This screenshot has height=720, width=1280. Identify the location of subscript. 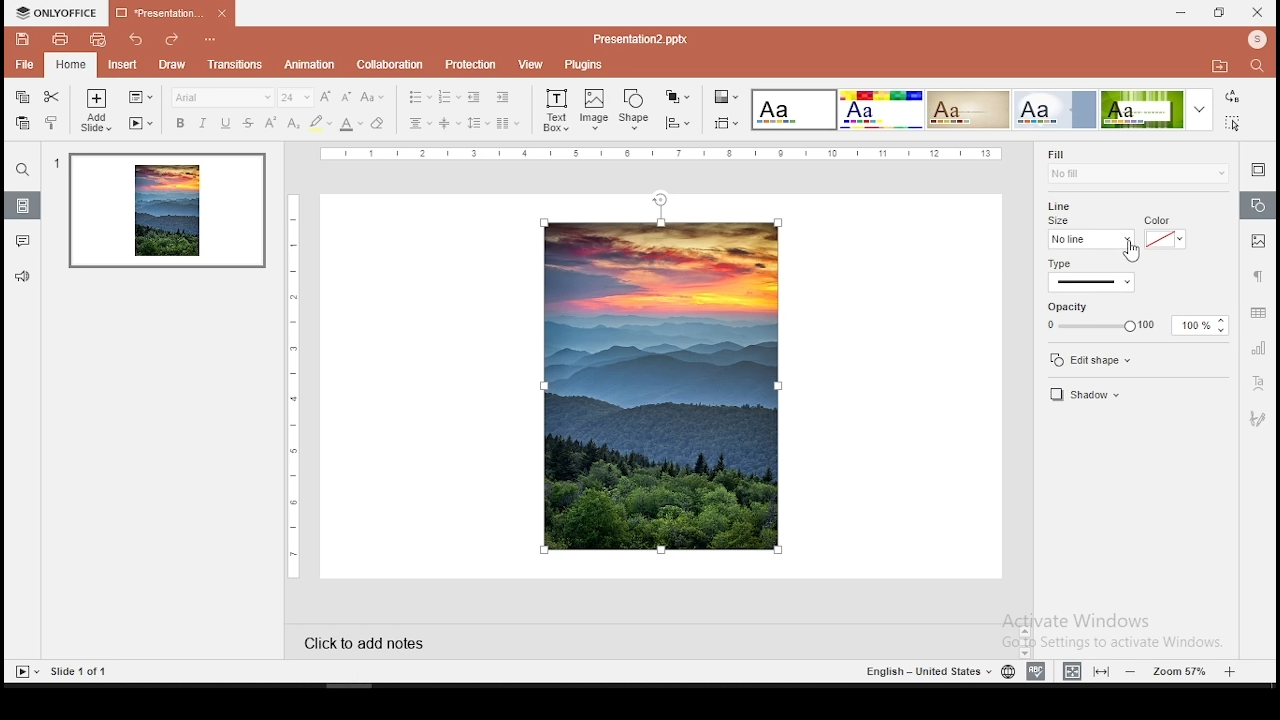
(293, 122).